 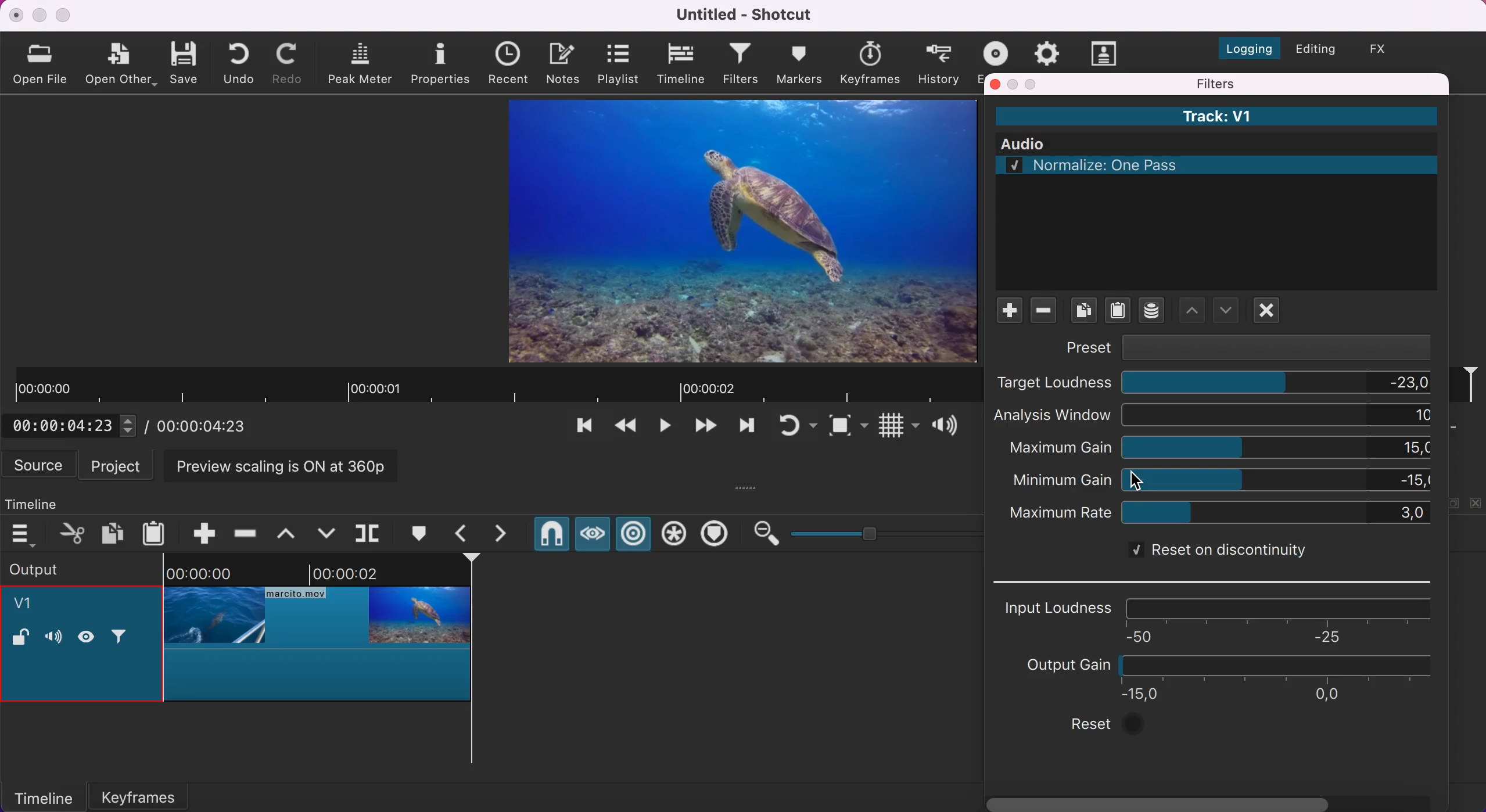 What do you see at coordinates (717, 535) in the screenshot?
I see `ripple markers` at bounding box center [717, 535].